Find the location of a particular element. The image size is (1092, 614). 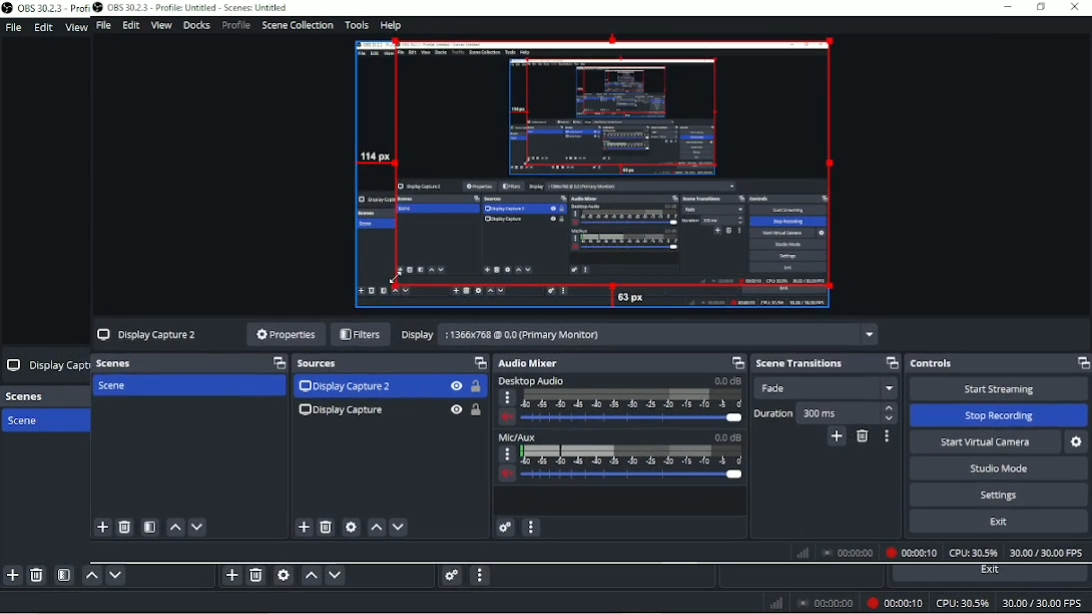

Exit is located at coordinates (990, 572).